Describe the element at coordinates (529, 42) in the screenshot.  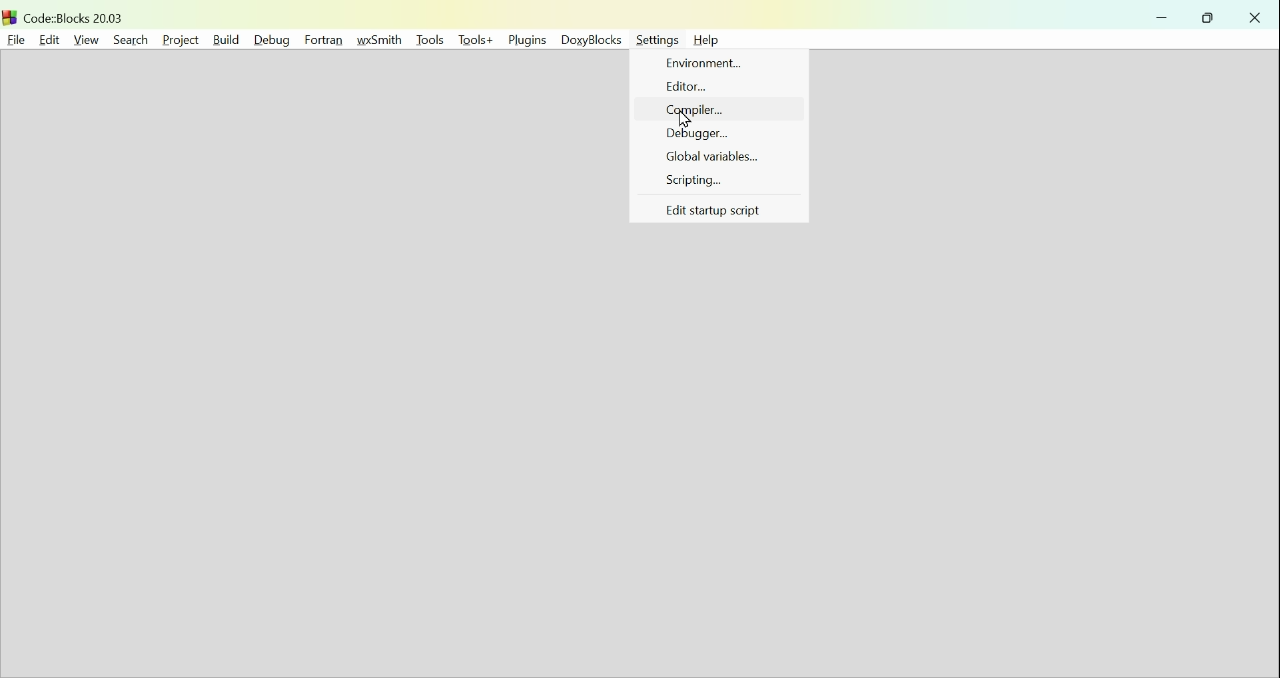
I see `Plugins` at that location.